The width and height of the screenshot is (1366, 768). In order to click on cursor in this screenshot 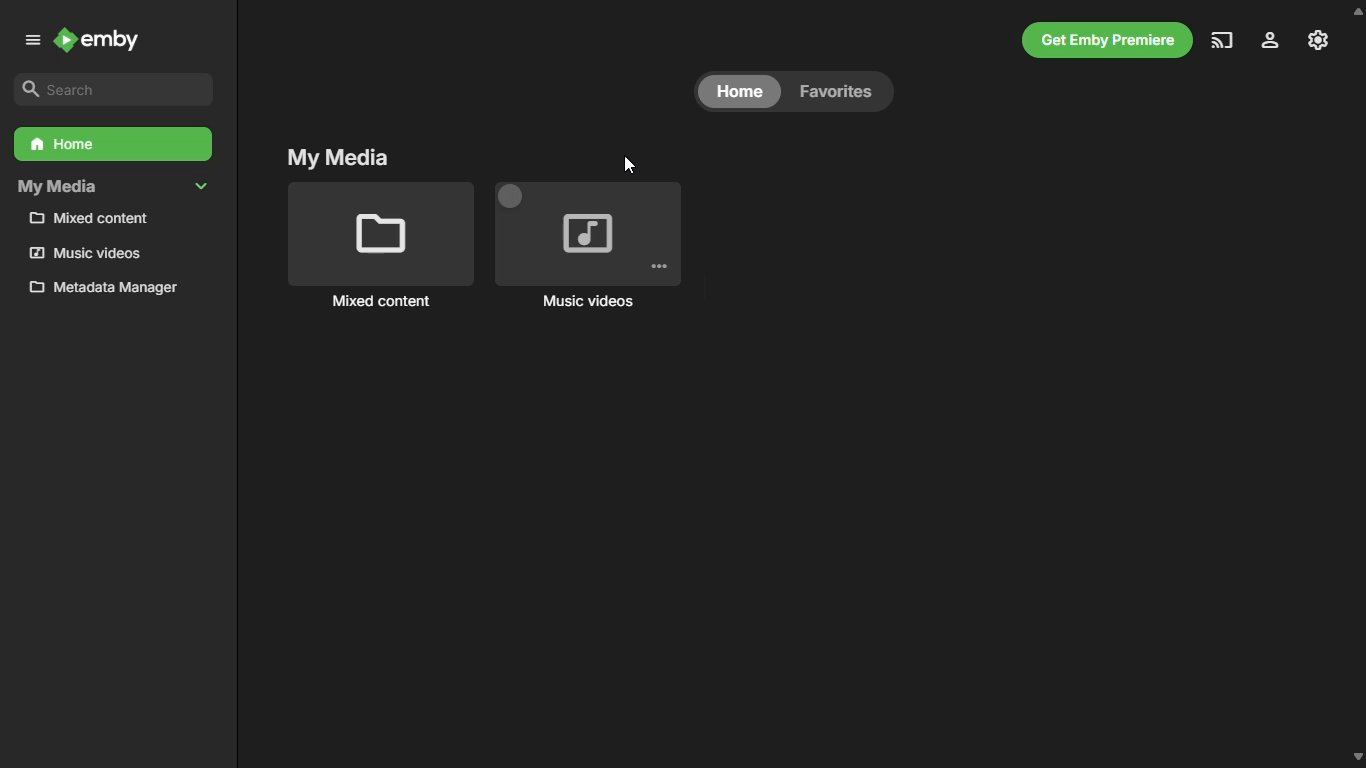, I will do `click(630, 166)`.